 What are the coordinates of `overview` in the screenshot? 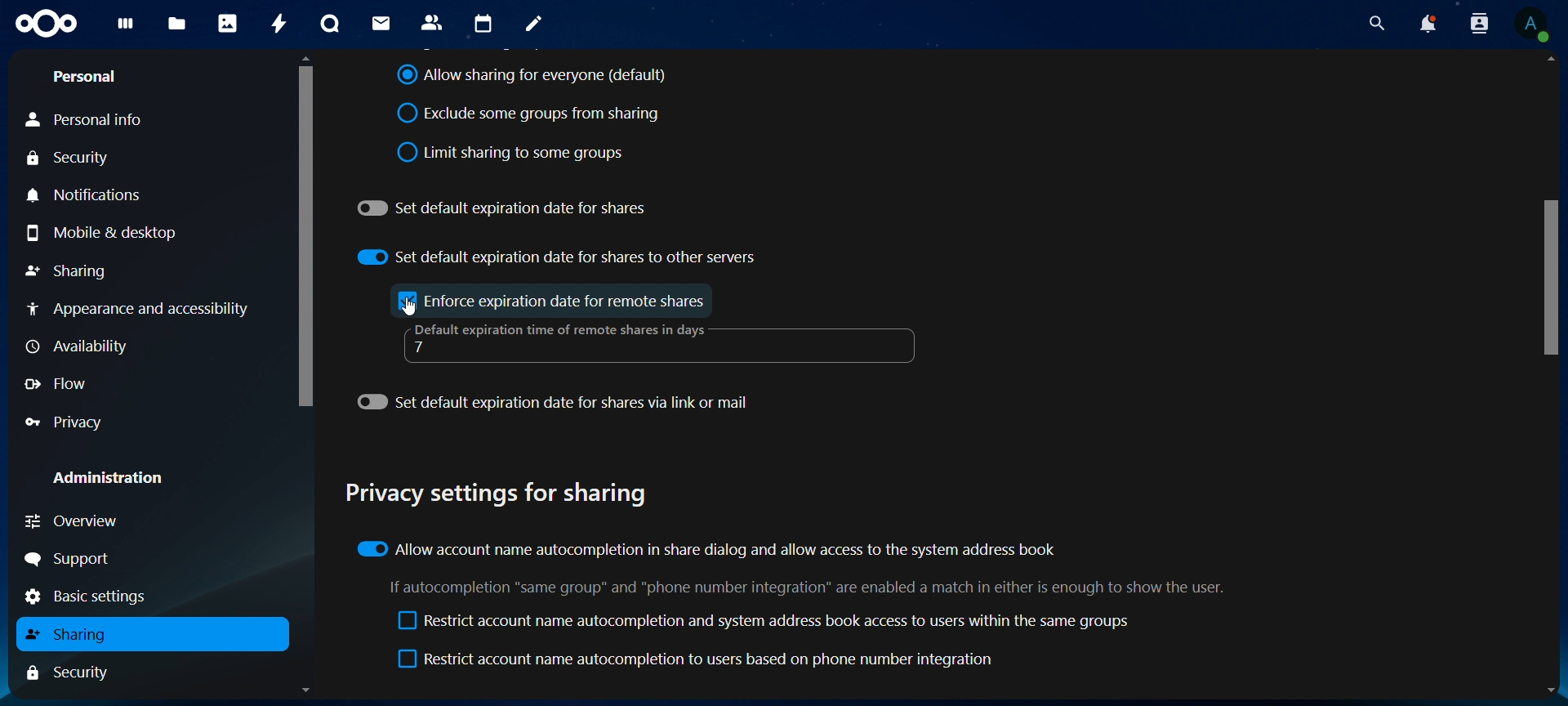 It's located at (73, 518).